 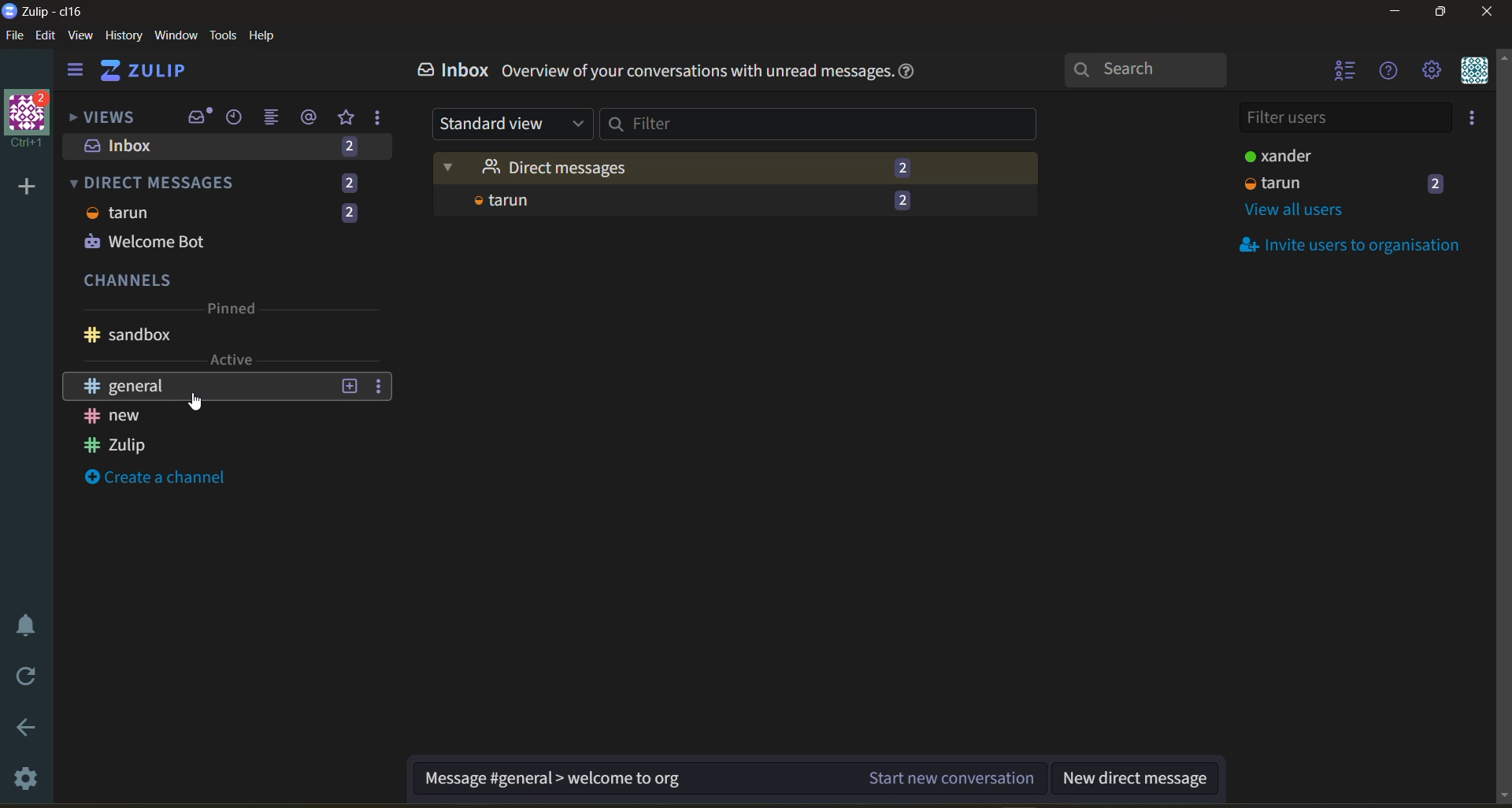 What do you see at coordinates (1475, 120) in the screenshot?
I see `invite users to organisation` at bounding box center [1475, 120].